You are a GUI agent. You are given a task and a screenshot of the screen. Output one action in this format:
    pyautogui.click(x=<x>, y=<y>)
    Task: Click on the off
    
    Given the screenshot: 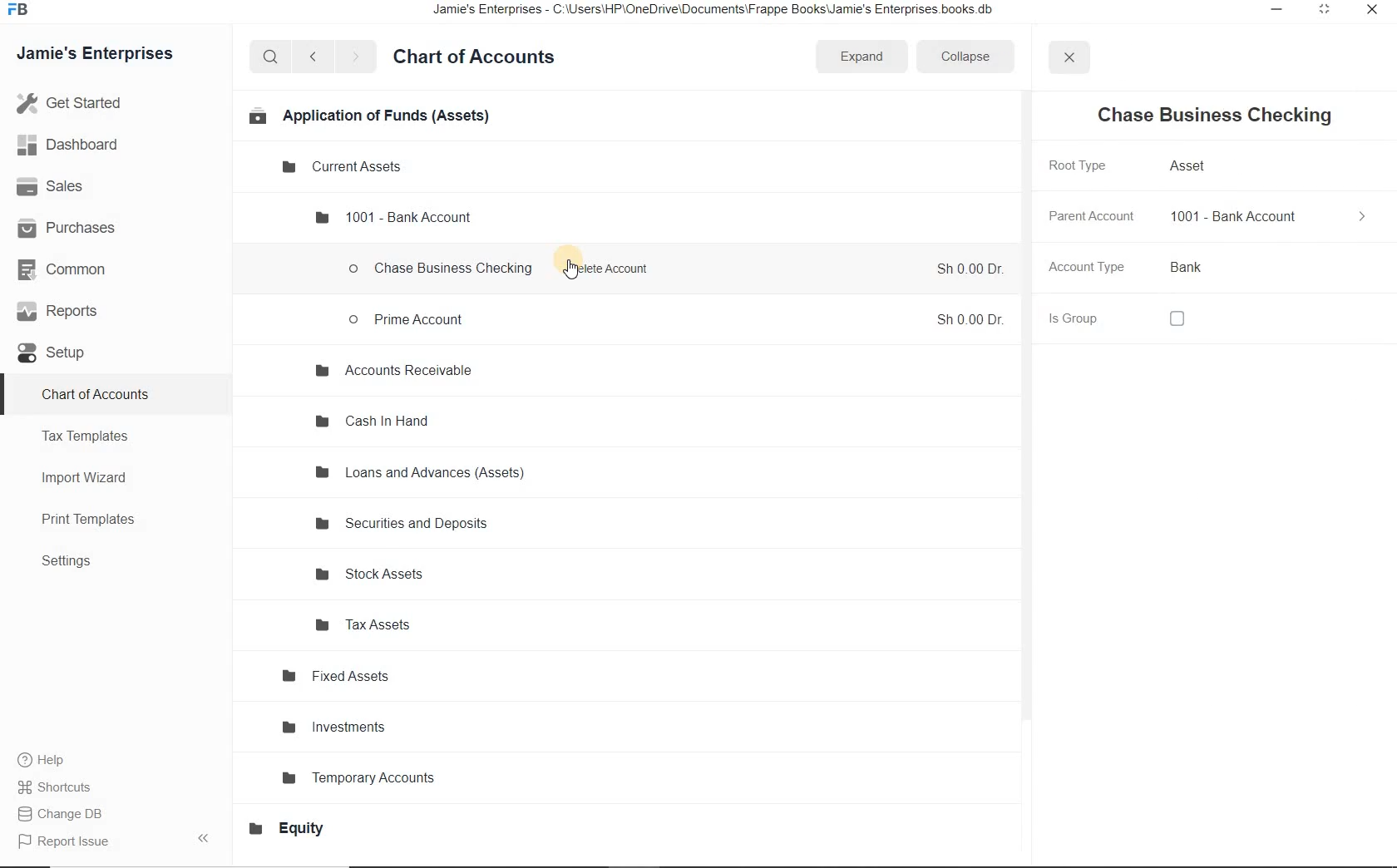 What is the action you would take?
    pyautogui.click(x=1176, y=319)
    